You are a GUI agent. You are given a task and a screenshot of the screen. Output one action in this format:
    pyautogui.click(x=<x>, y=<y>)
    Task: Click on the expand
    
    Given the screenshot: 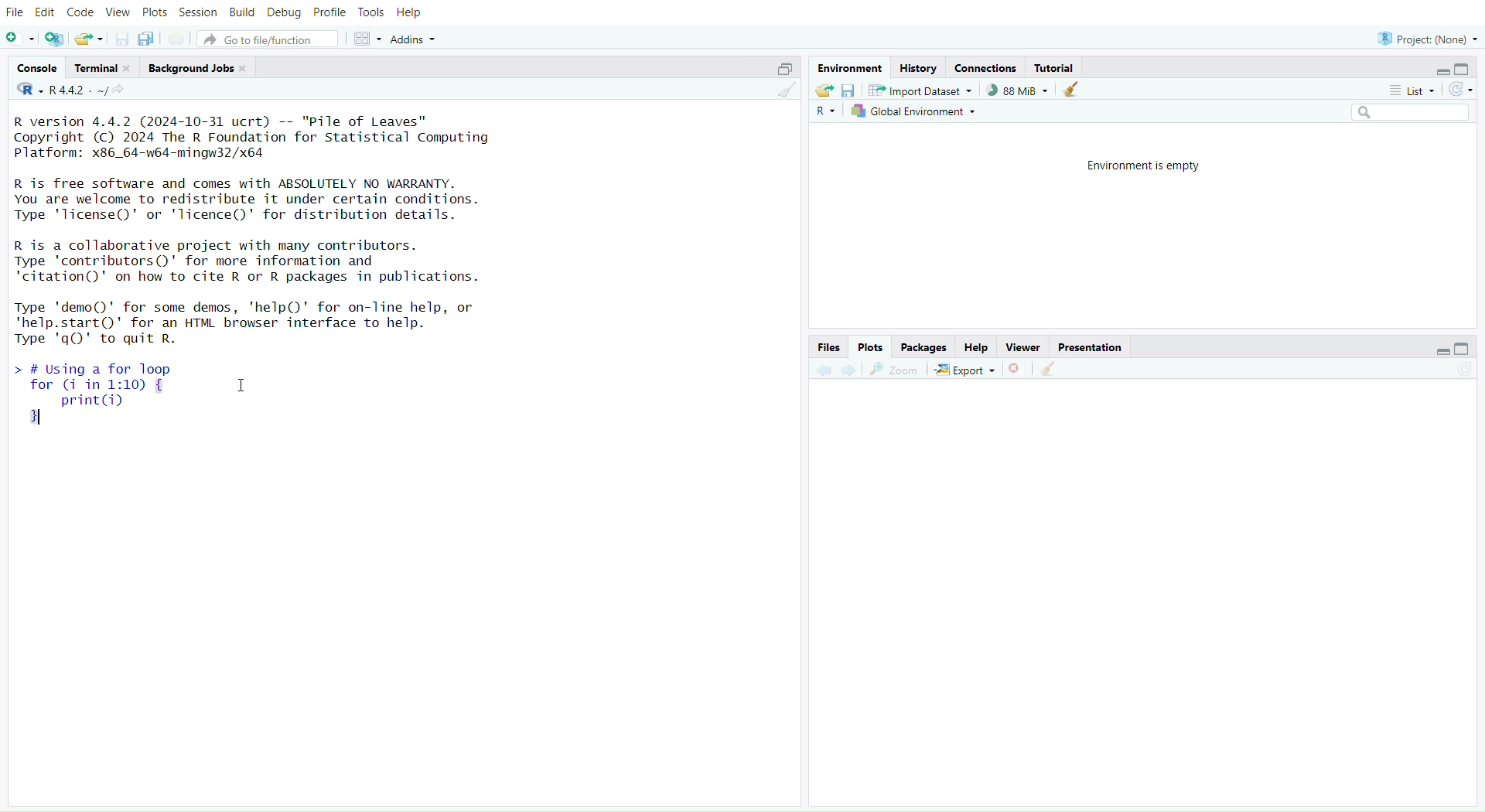 What is the action you would take?
    pyautogui.click(x=1440, y=352)
    